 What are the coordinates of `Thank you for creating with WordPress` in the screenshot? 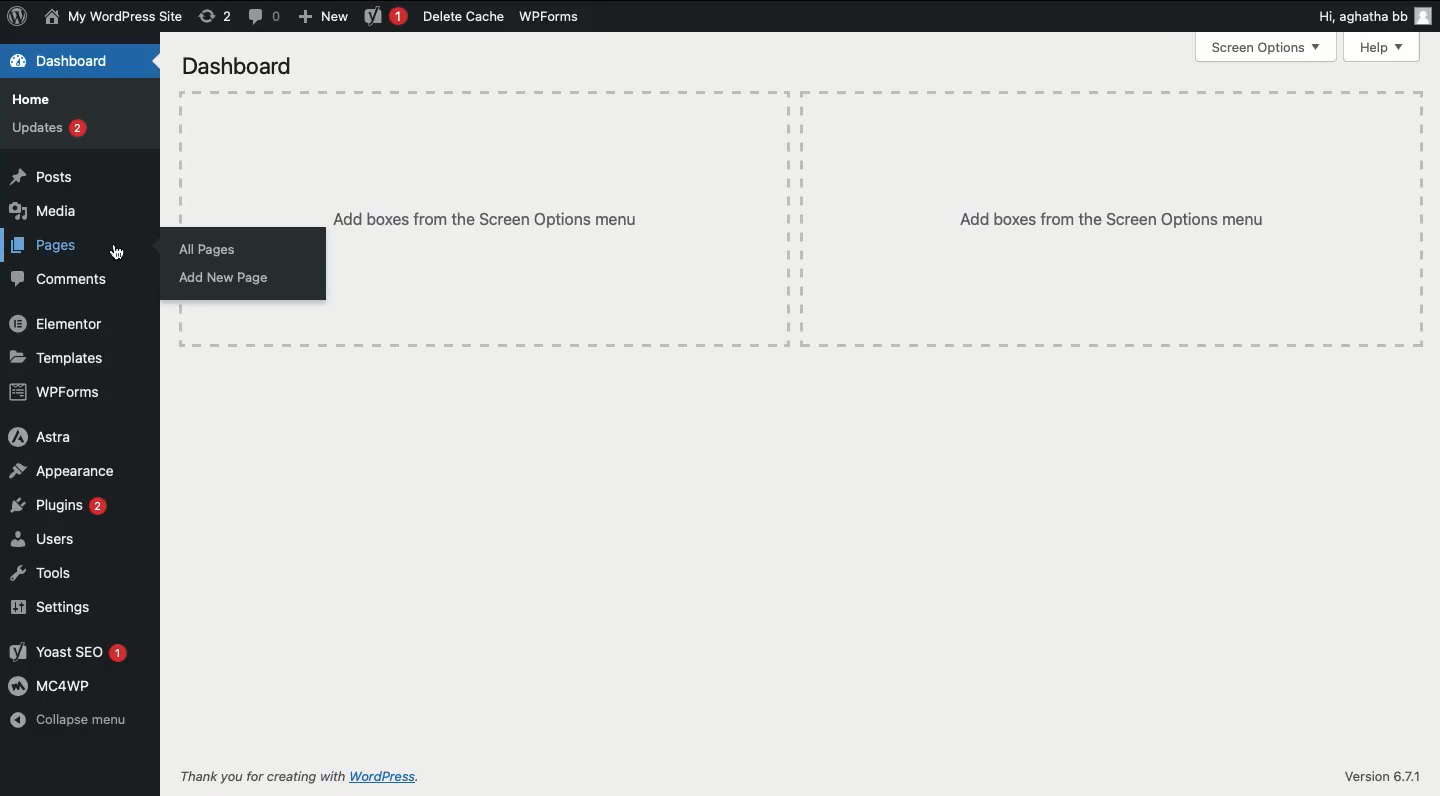 It's located at (310, 779).